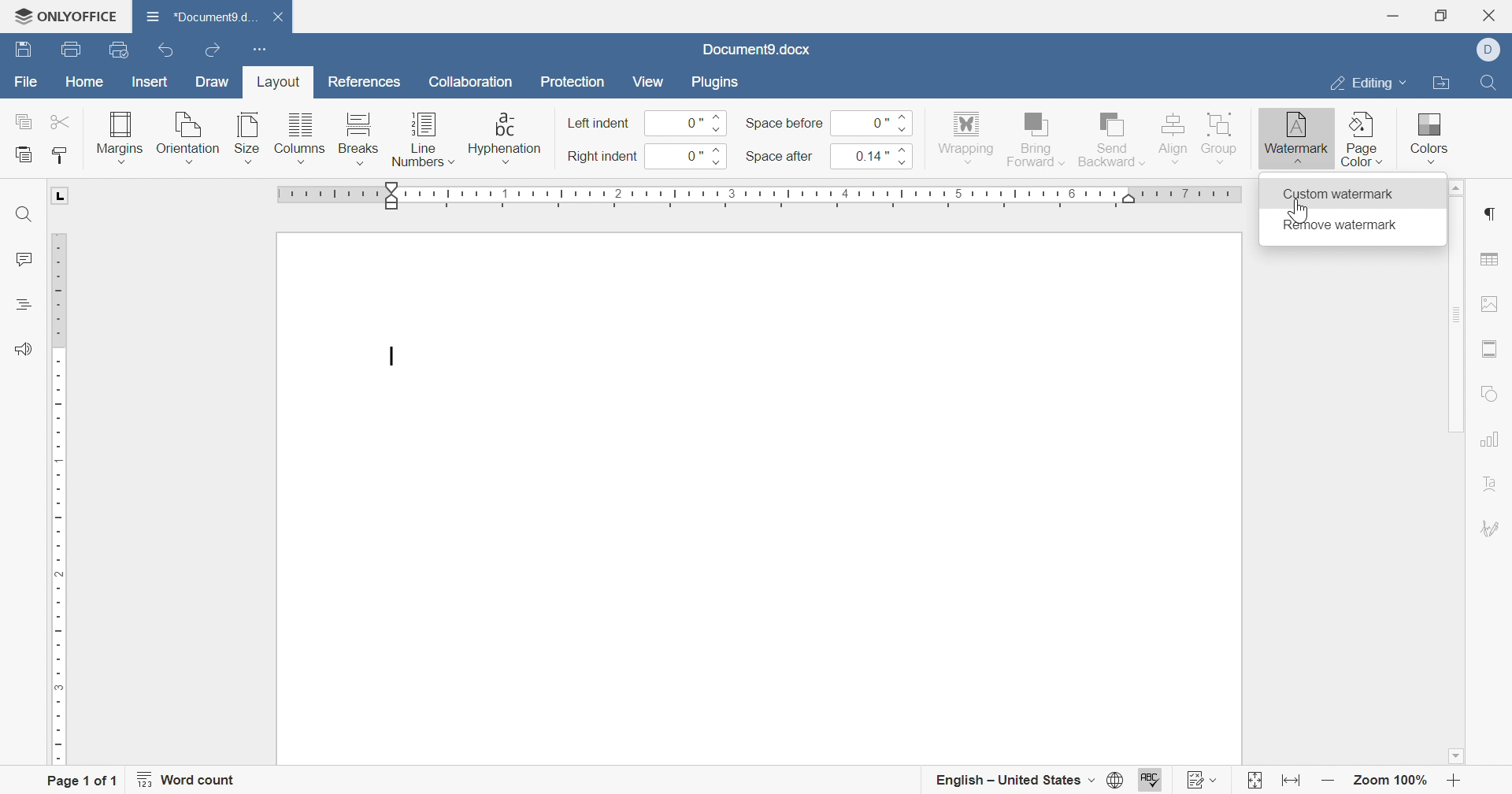  Describe the element at coordinates (21, 304) in the screenshot. I see `headings` at that location.